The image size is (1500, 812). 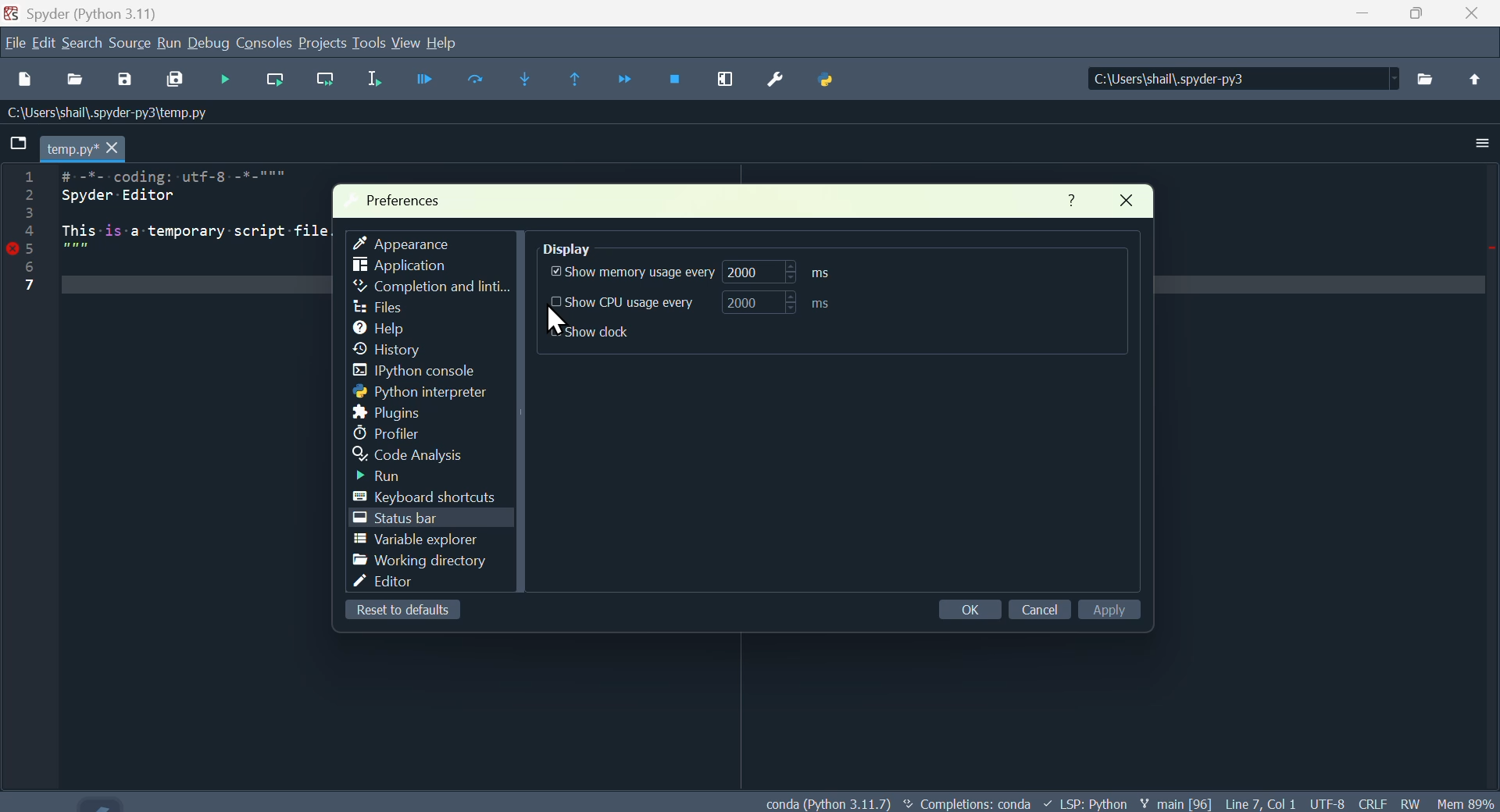 I want to click on Editor, so click(x=405, y=584).